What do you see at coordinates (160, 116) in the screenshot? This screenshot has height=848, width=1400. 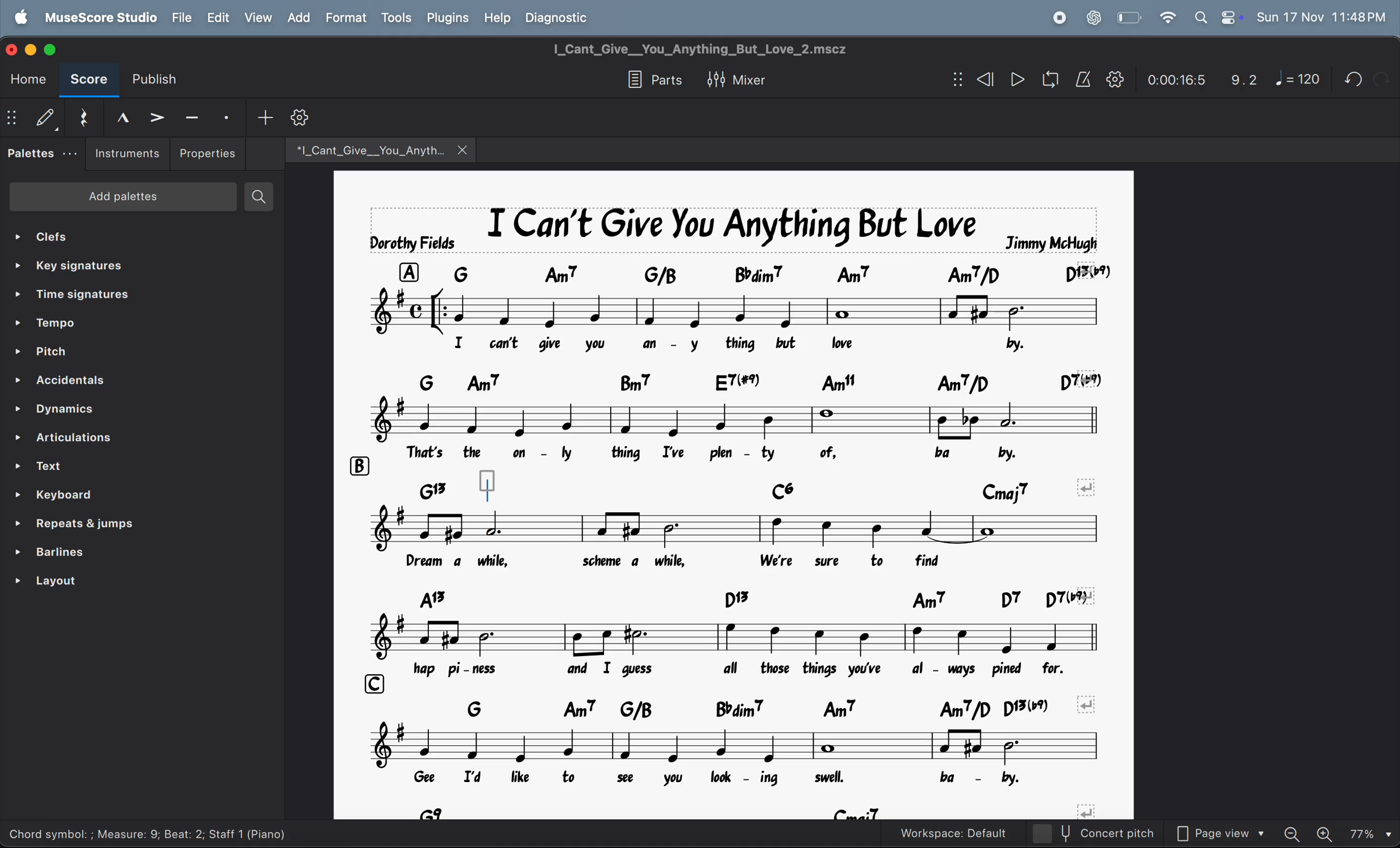 I see `accent` at bounding box center [160, 116].